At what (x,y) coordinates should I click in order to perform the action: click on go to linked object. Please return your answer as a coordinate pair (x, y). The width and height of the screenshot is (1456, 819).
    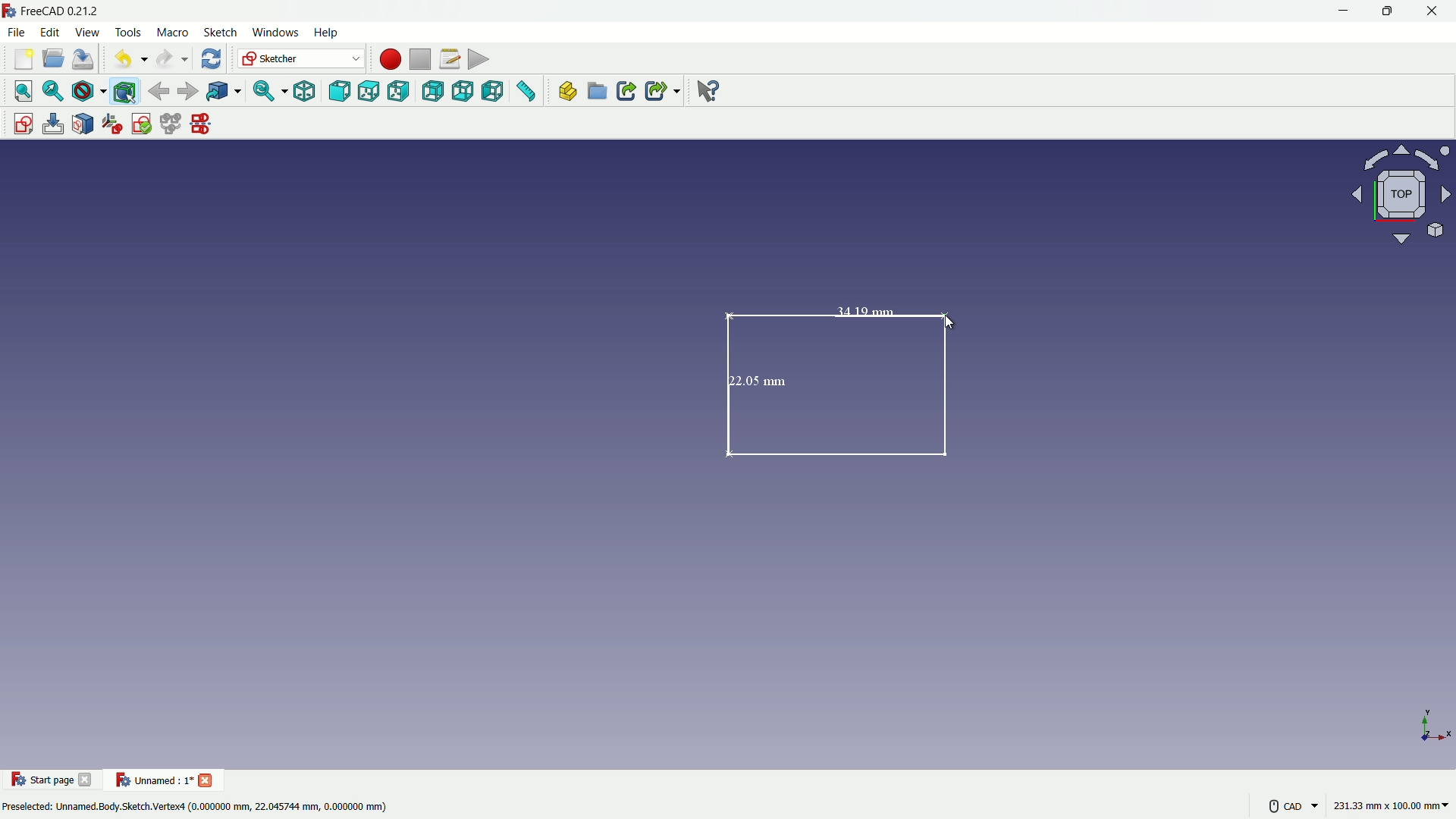
    Looking at the image, I should click on (223, 93).